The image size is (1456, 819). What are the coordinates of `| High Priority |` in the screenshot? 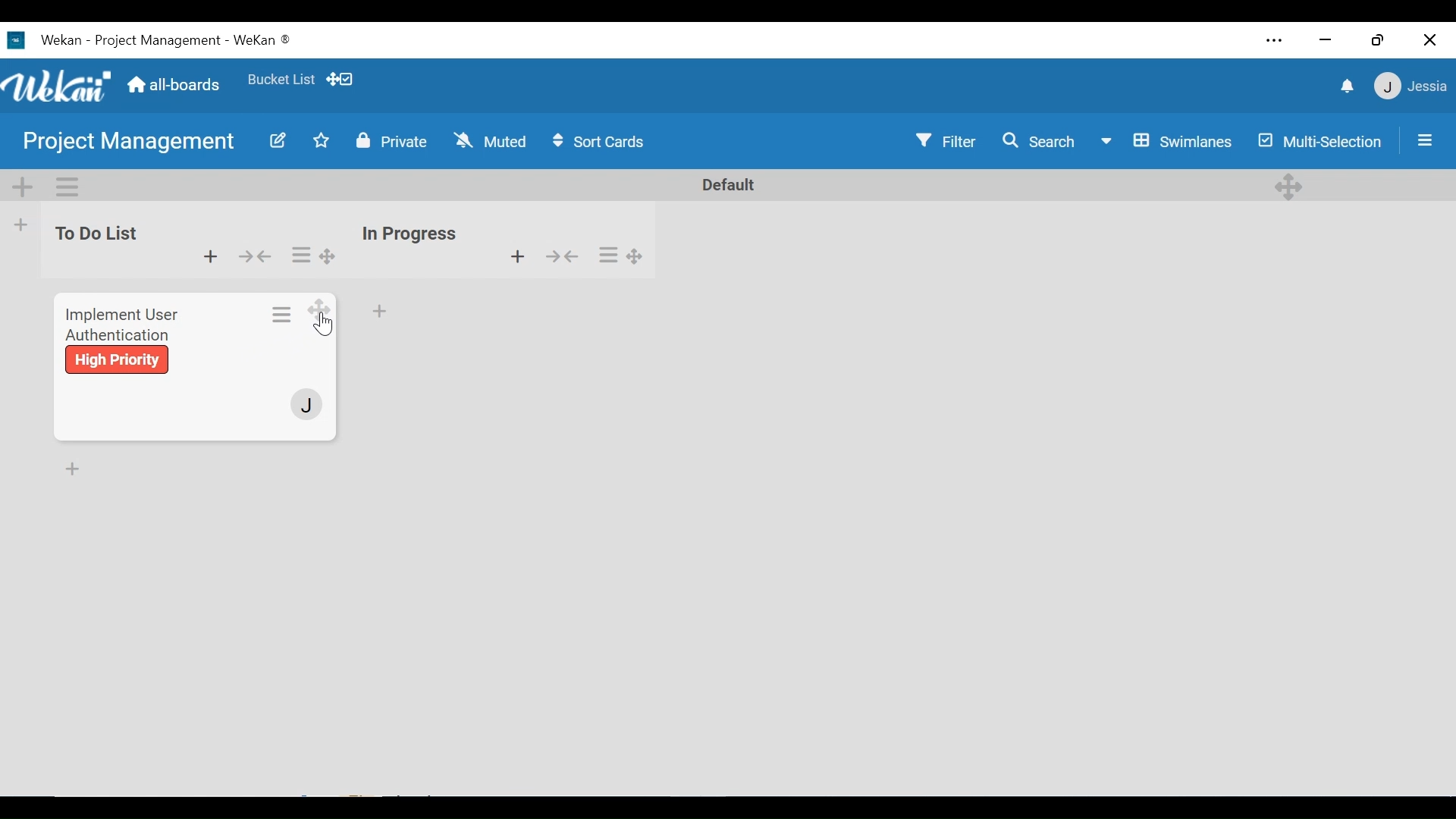 It's located at (118, 359).